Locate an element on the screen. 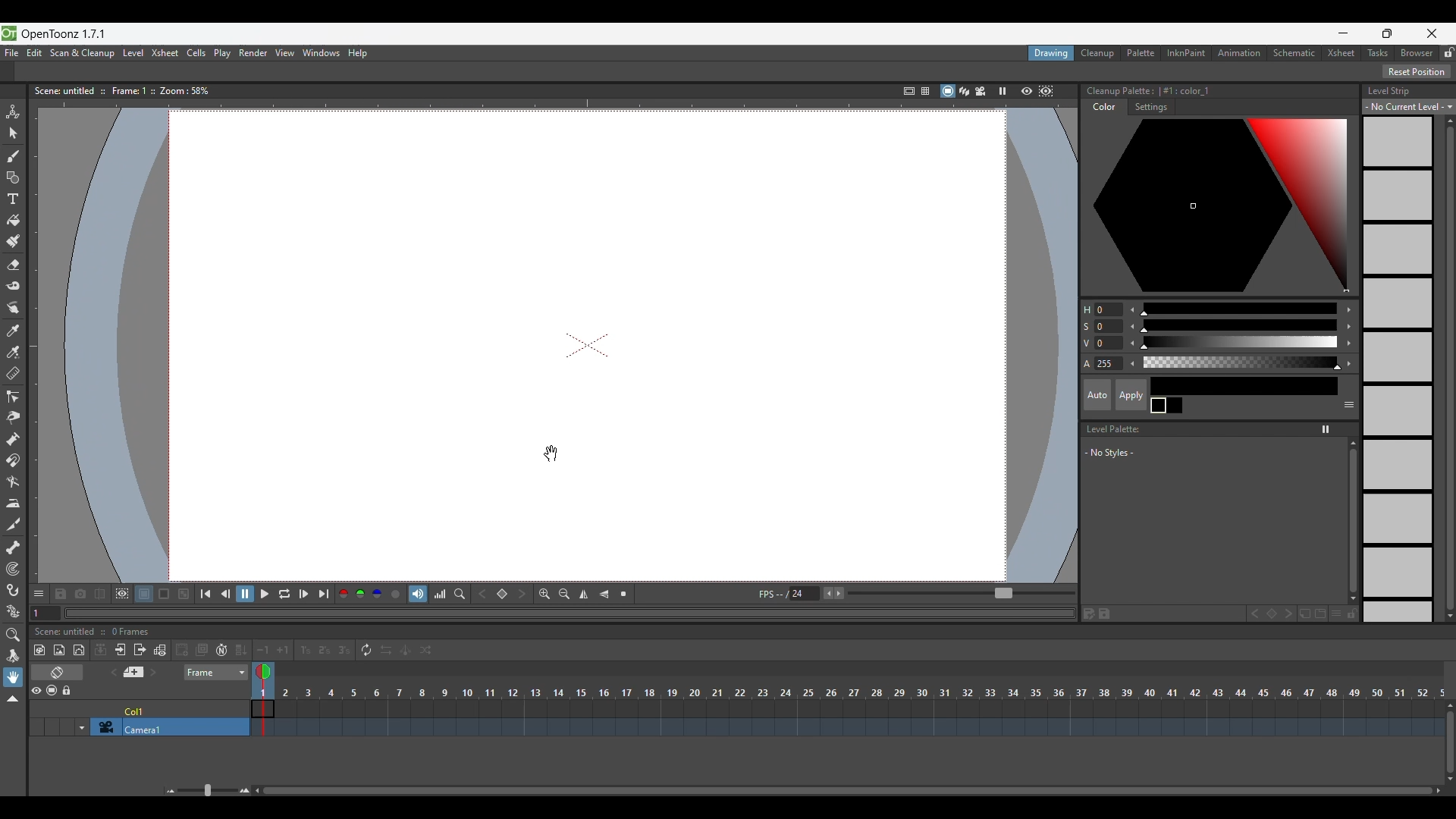  Zoom tool is located at coordinates (13, 635).